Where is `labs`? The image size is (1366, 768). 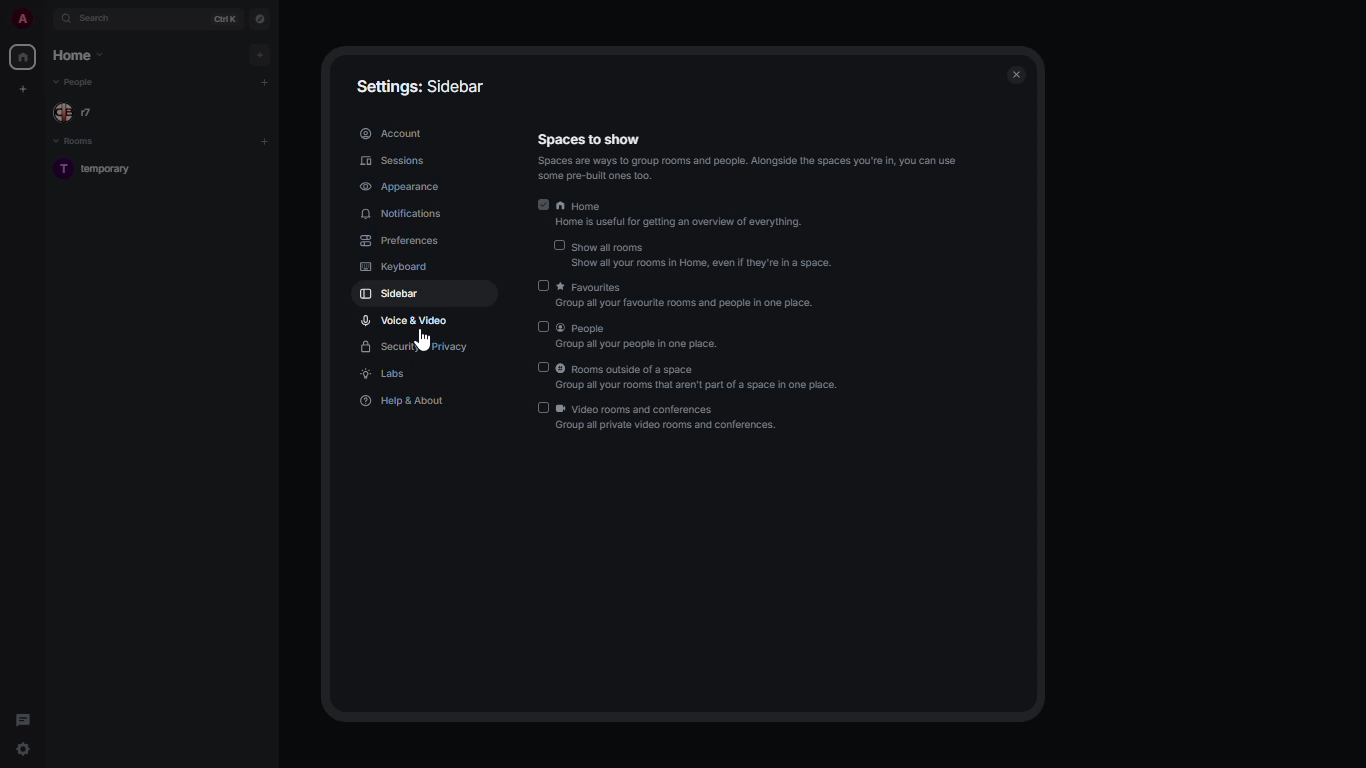 labs is located at coordinates (383, 374).